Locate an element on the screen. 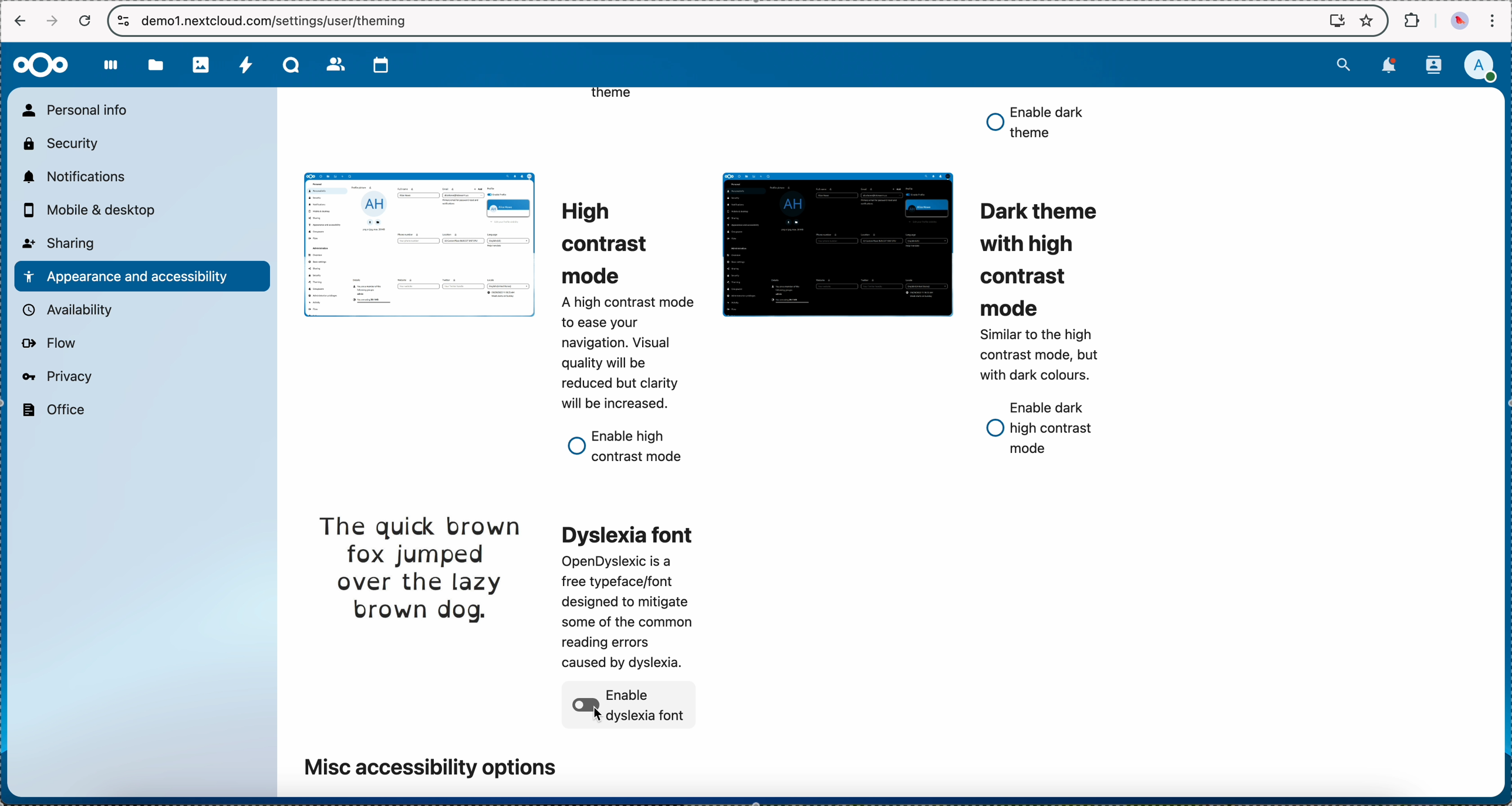 The height and width of the screenshot is (806, 1512). cursor is located at coordinates (598, 714).